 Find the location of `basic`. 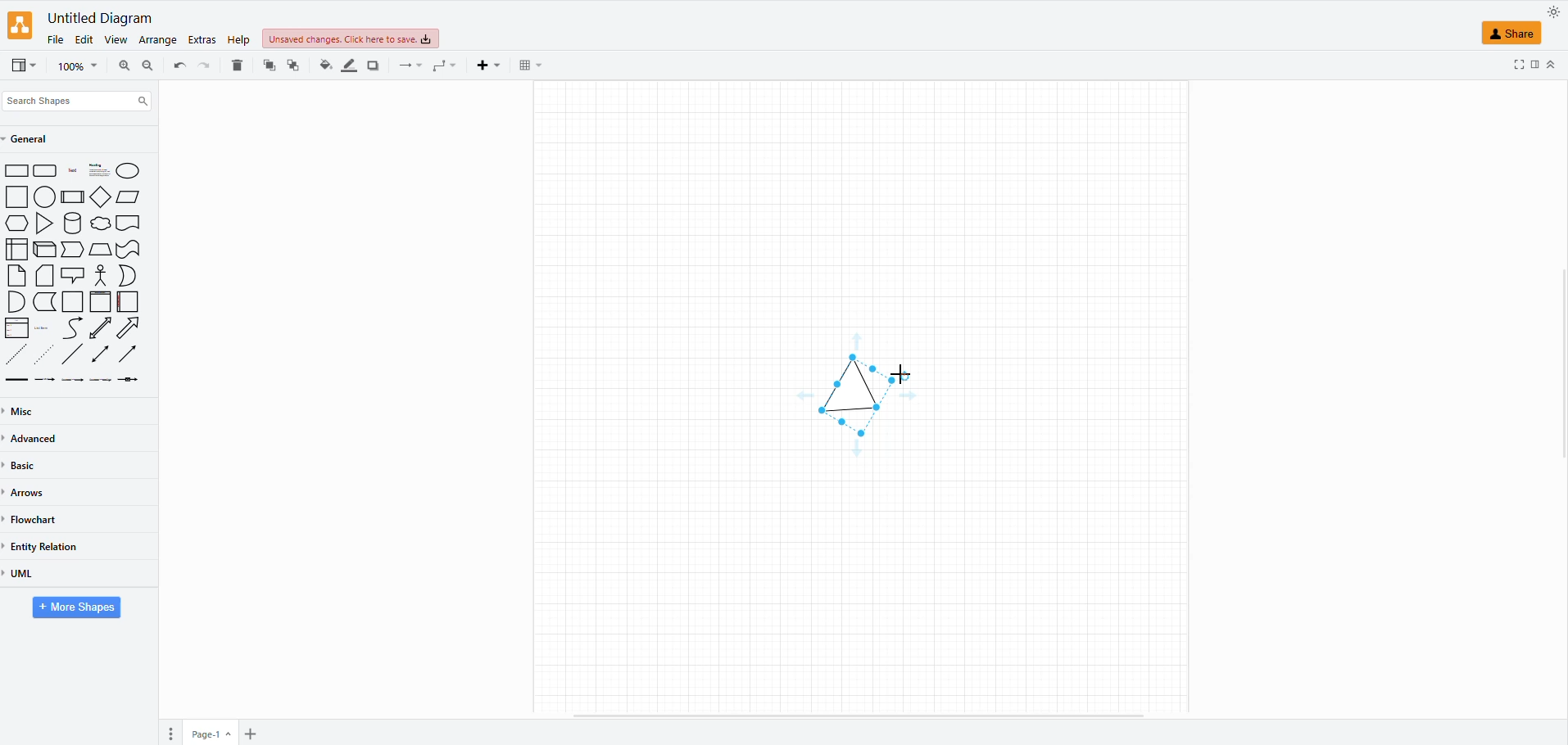

basic is located at coordinates (27, 468).